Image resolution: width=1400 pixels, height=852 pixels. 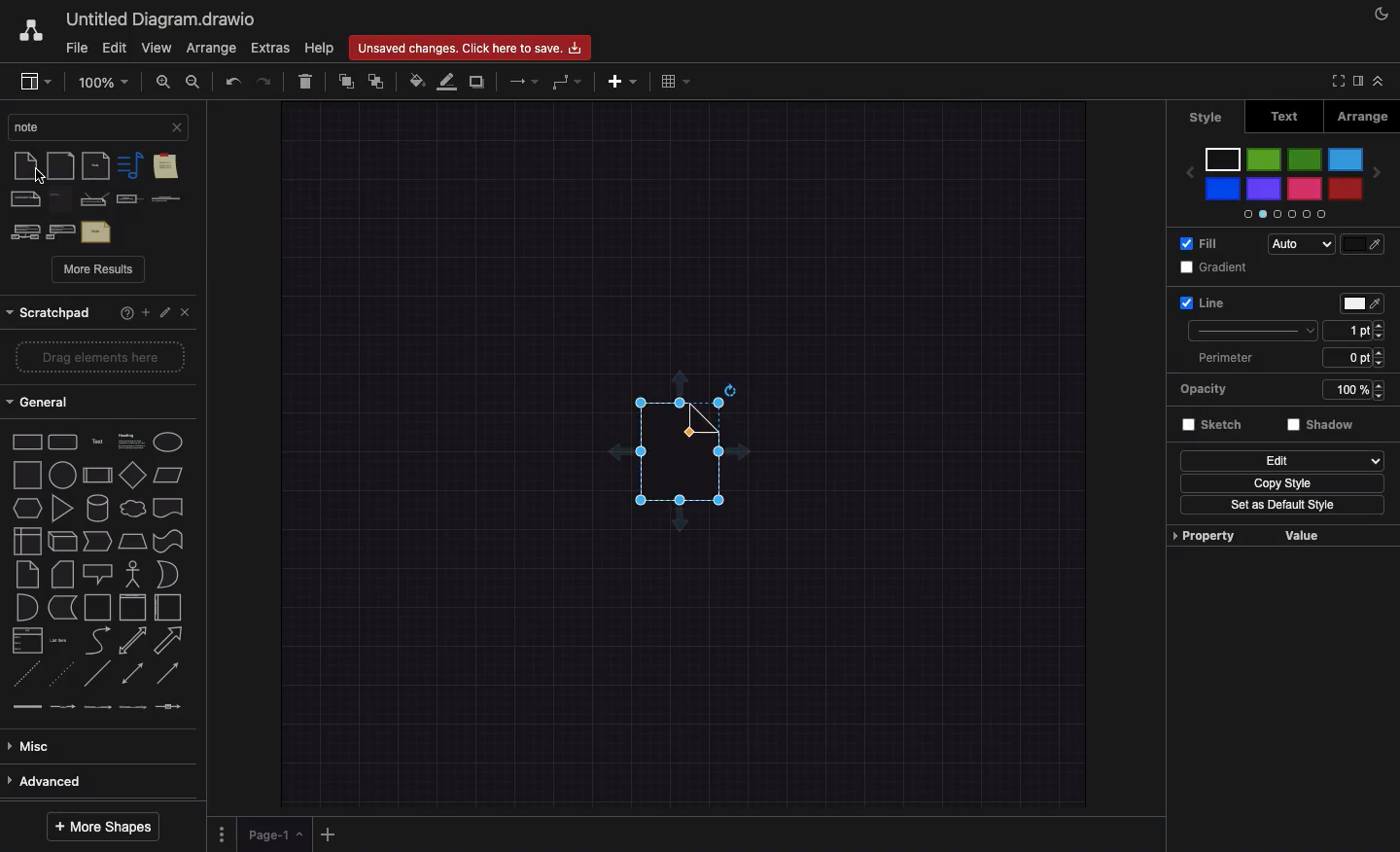 I want to click on scratchpad, so click(x=50, y=313).